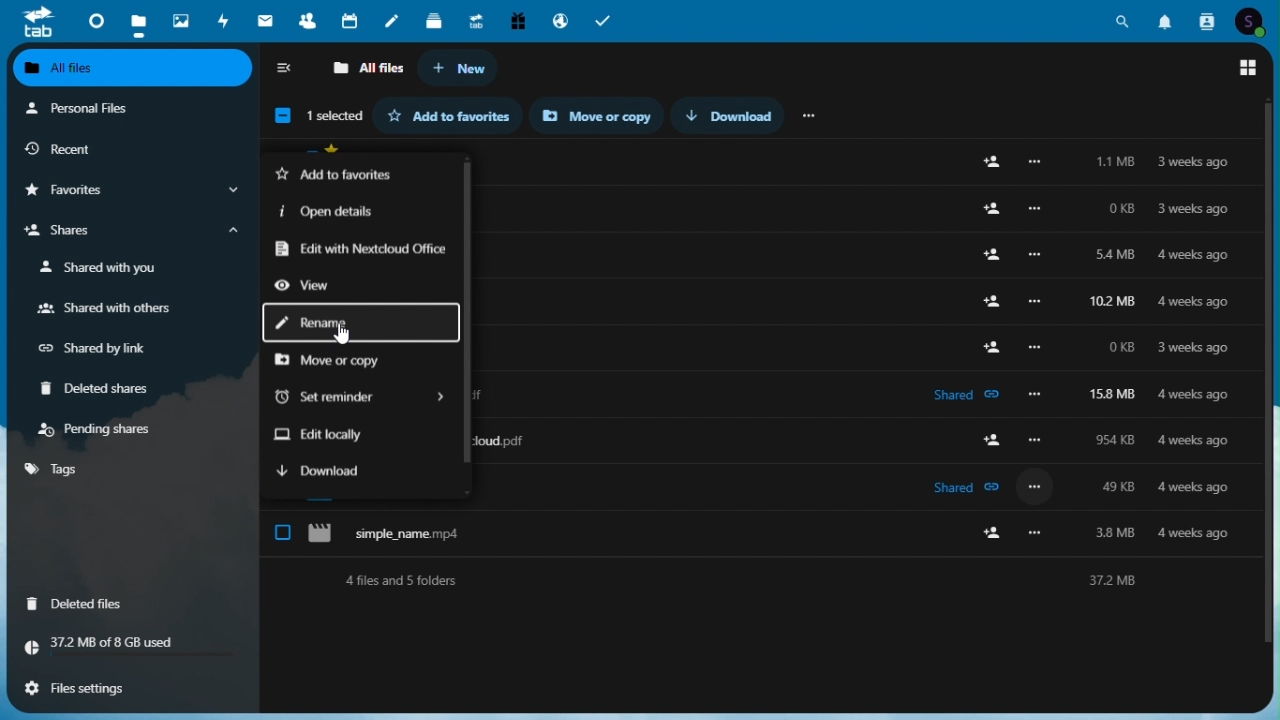  I want to click on deck, so click(436, 18).